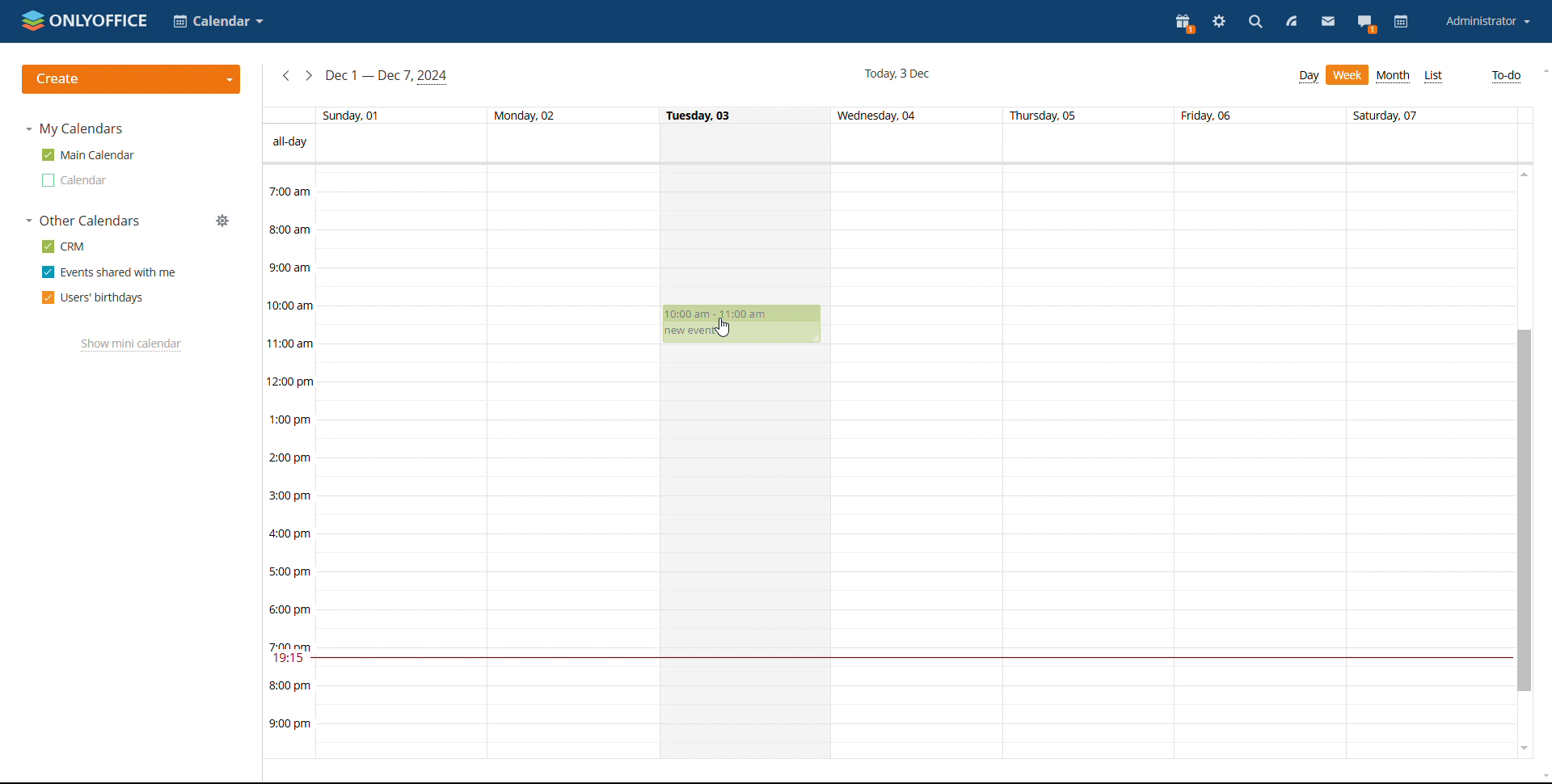 The width and height of the screenshot is (1552, 784). What do you see at coordinates (107, 272) in the screenshot?
I see `Events shared with me` at bounding box center [107, 272].